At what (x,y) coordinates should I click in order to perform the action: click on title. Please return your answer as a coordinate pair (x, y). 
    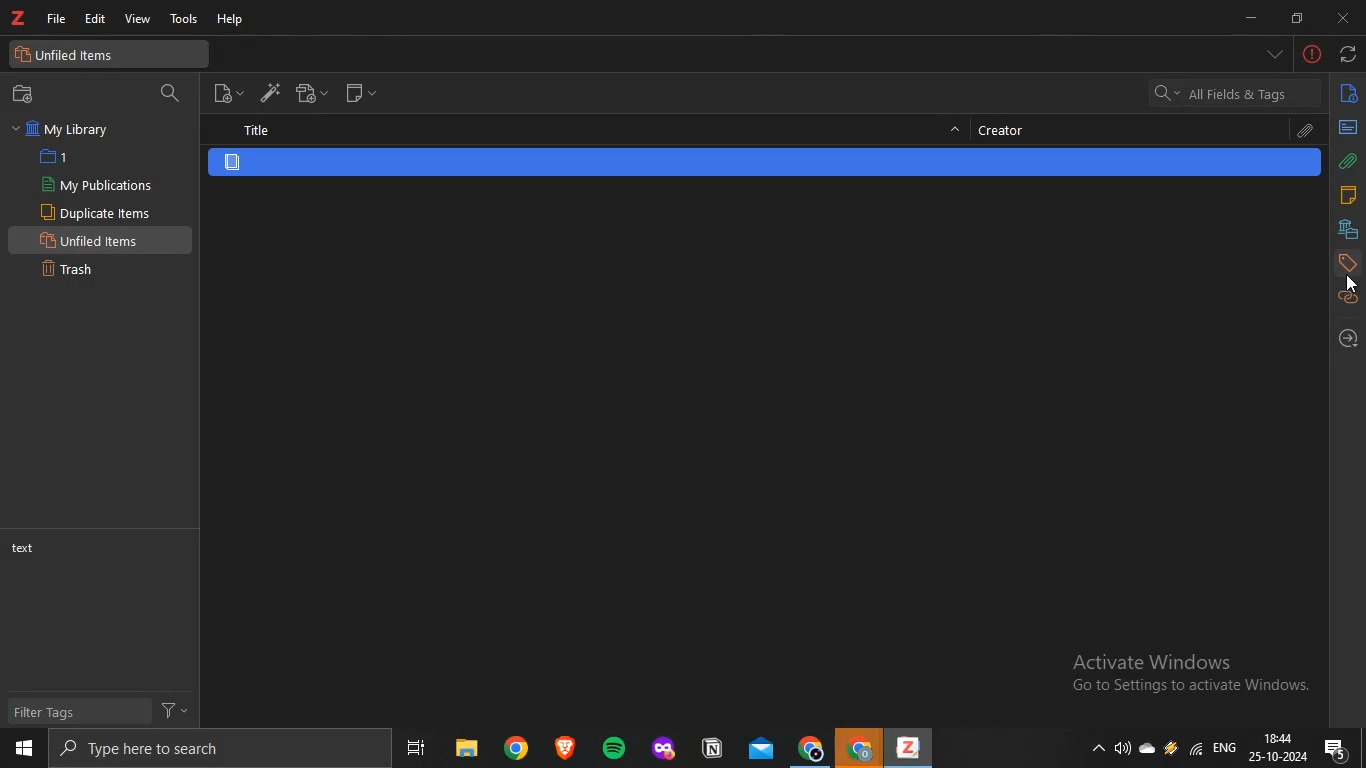
    Looking at the image, I should click on (315, 129).